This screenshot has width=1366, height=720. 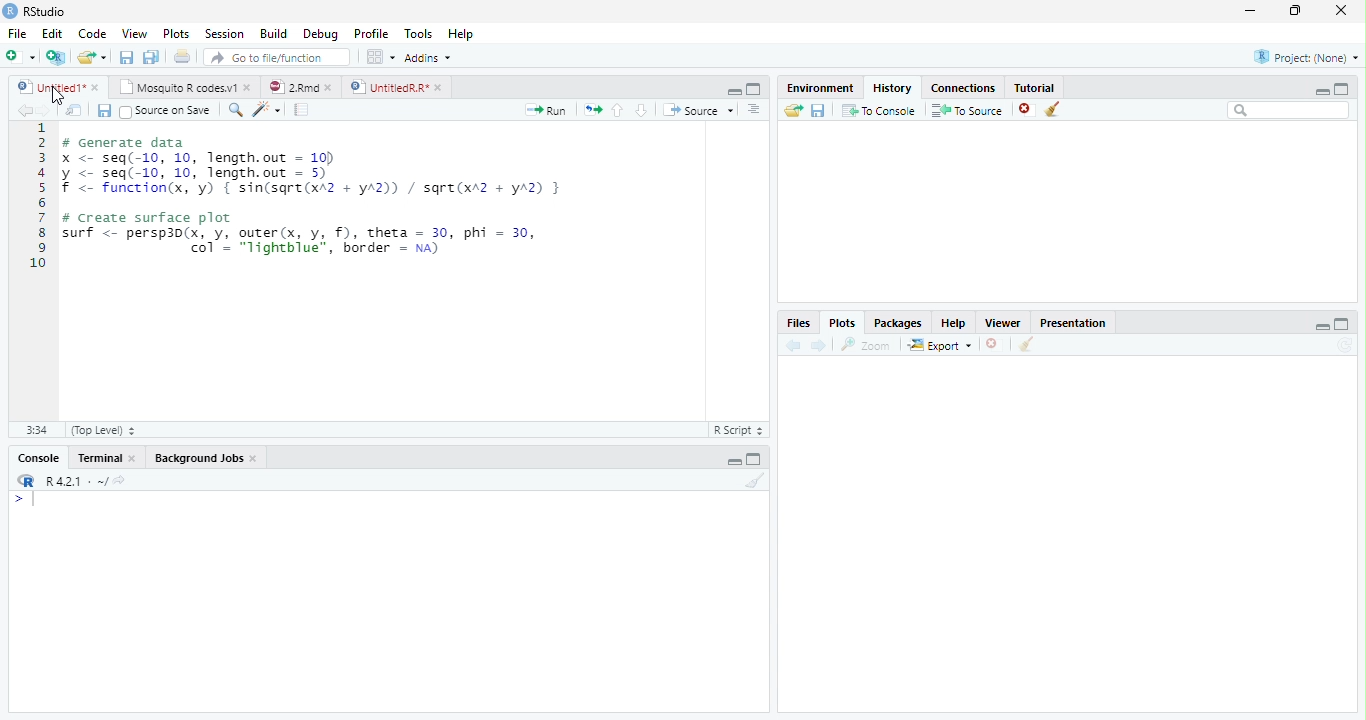 I want to click on maximize, so click(x=1342, y=89).